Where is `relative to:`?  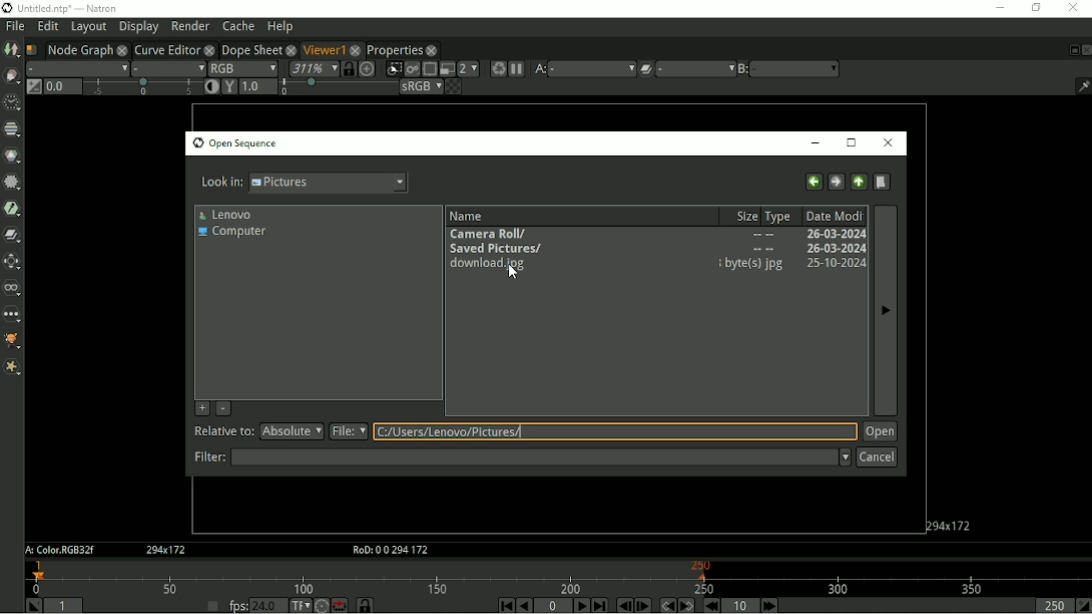
relative to: is located at coordinates (219, 430).